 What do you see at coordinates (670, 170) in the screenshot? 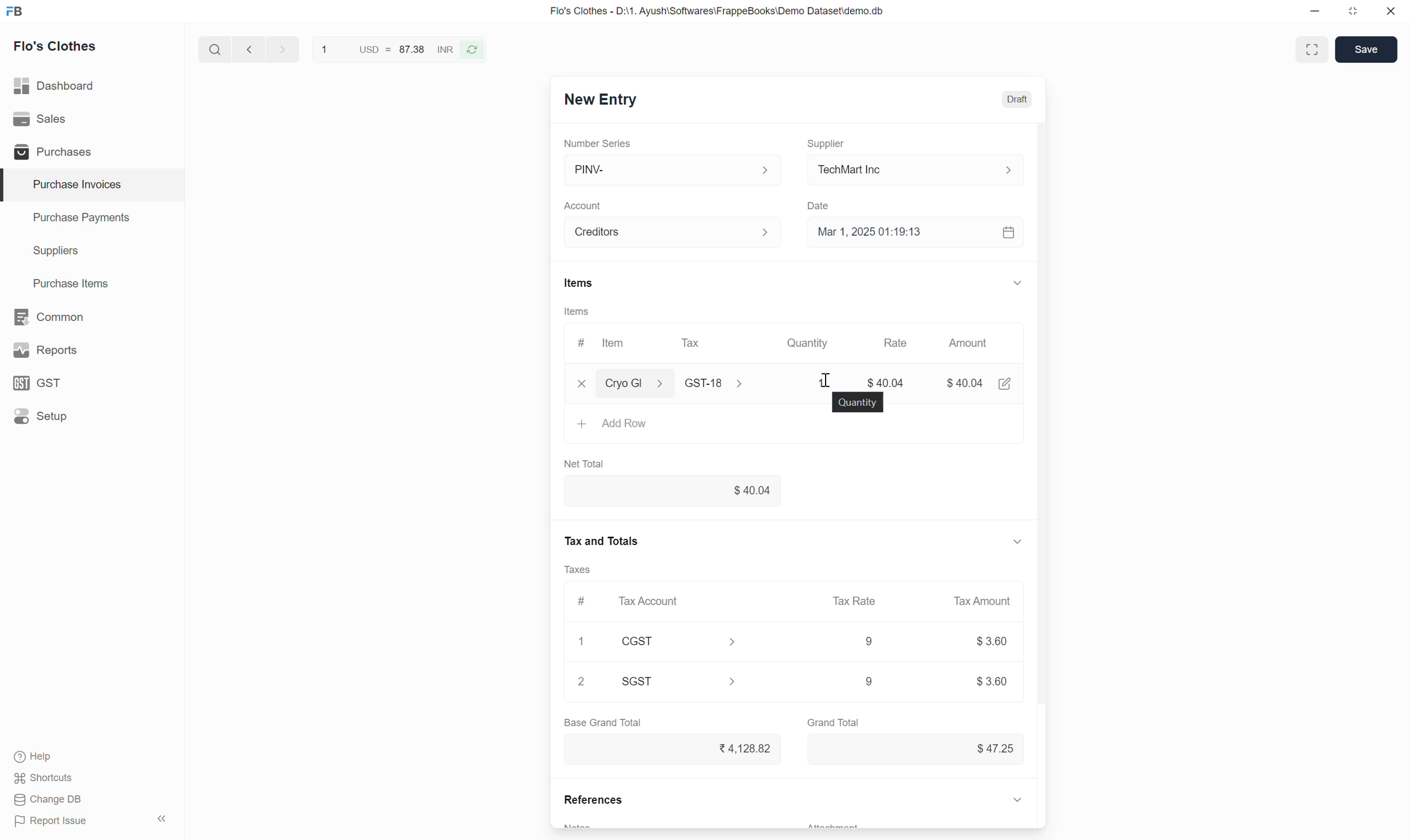
I see `PINV-` at bounding box center [670, 170].